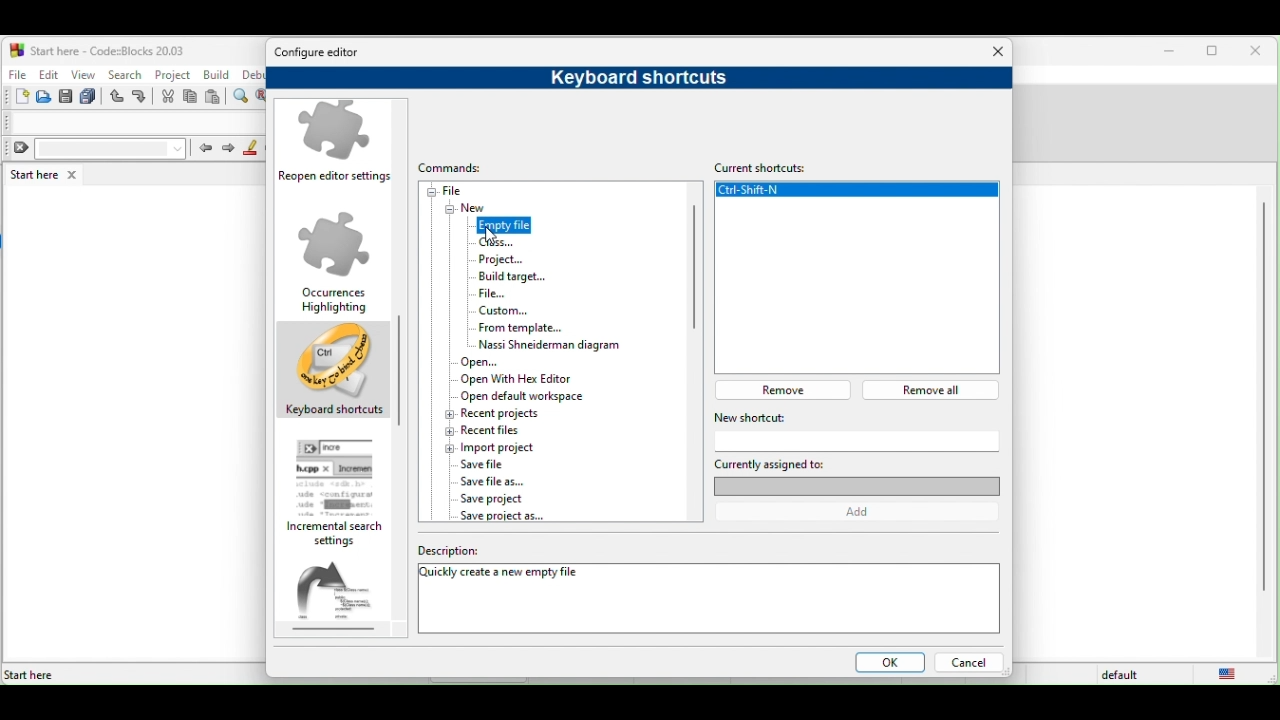  Describe the element at coordinates (501, 224) in the screenshot. I see `empty file` at that location.